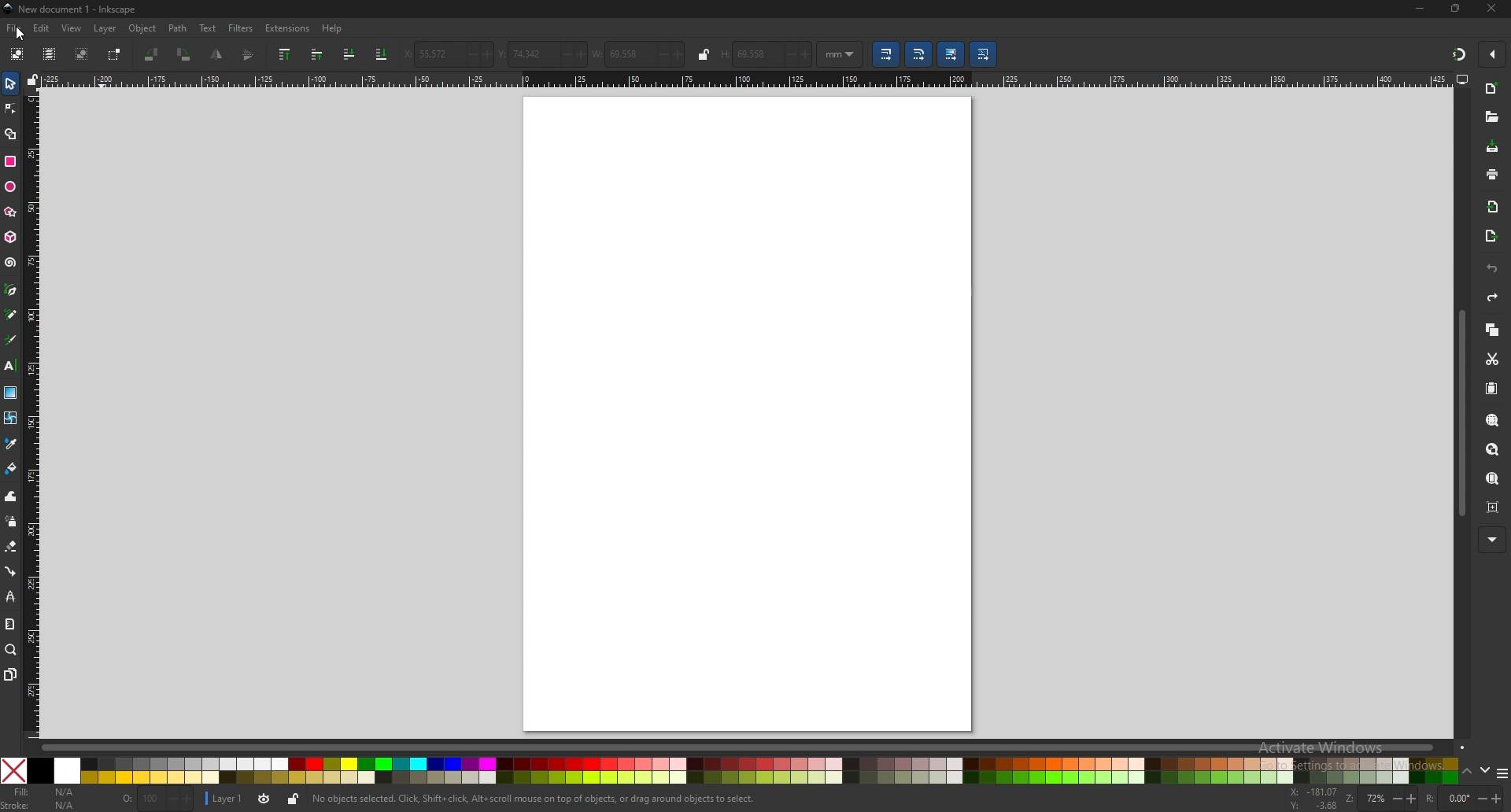  I want to click on print, so click(1492, 174).